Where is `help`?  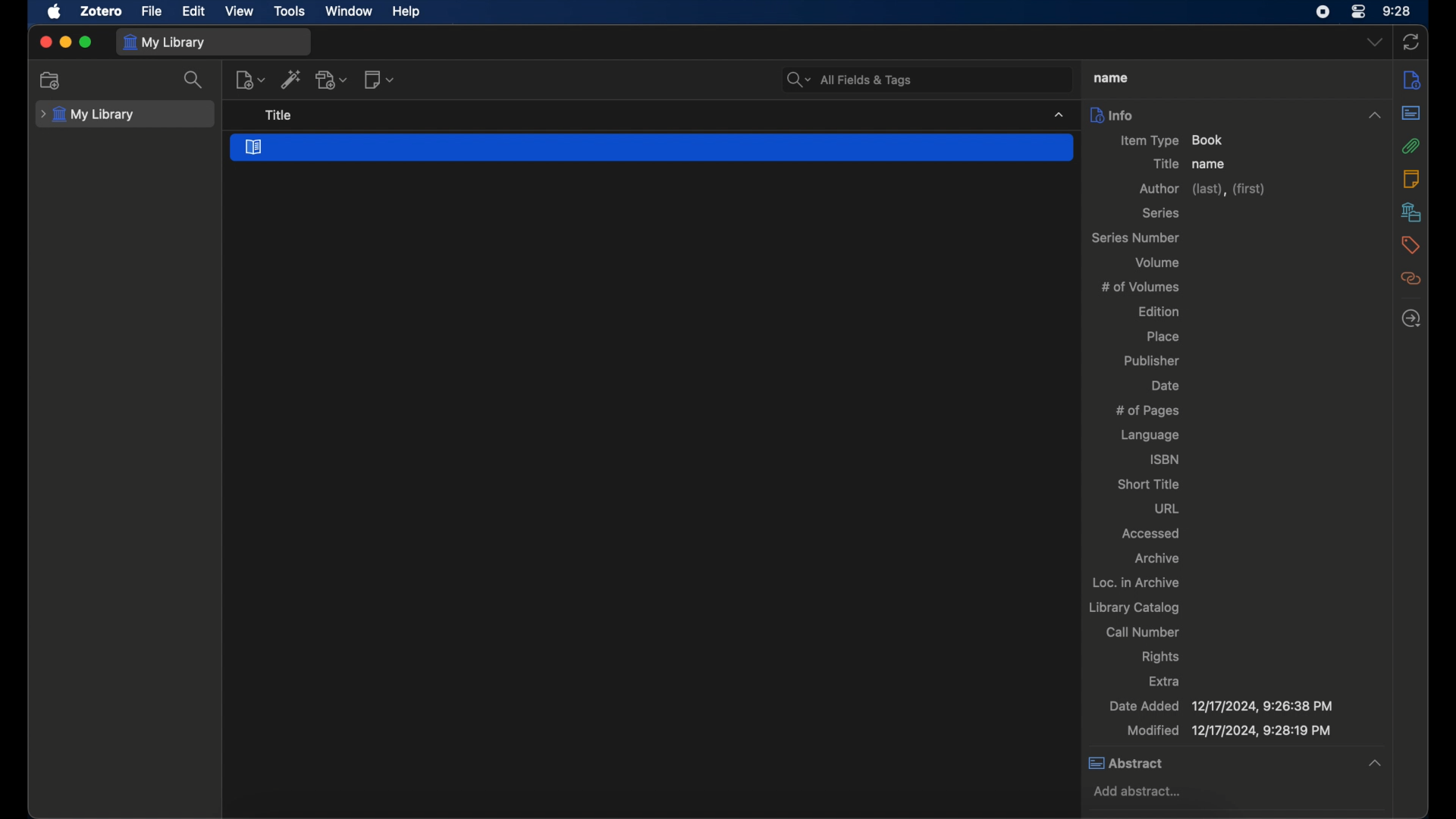
help is located at coordinates (406, 11).